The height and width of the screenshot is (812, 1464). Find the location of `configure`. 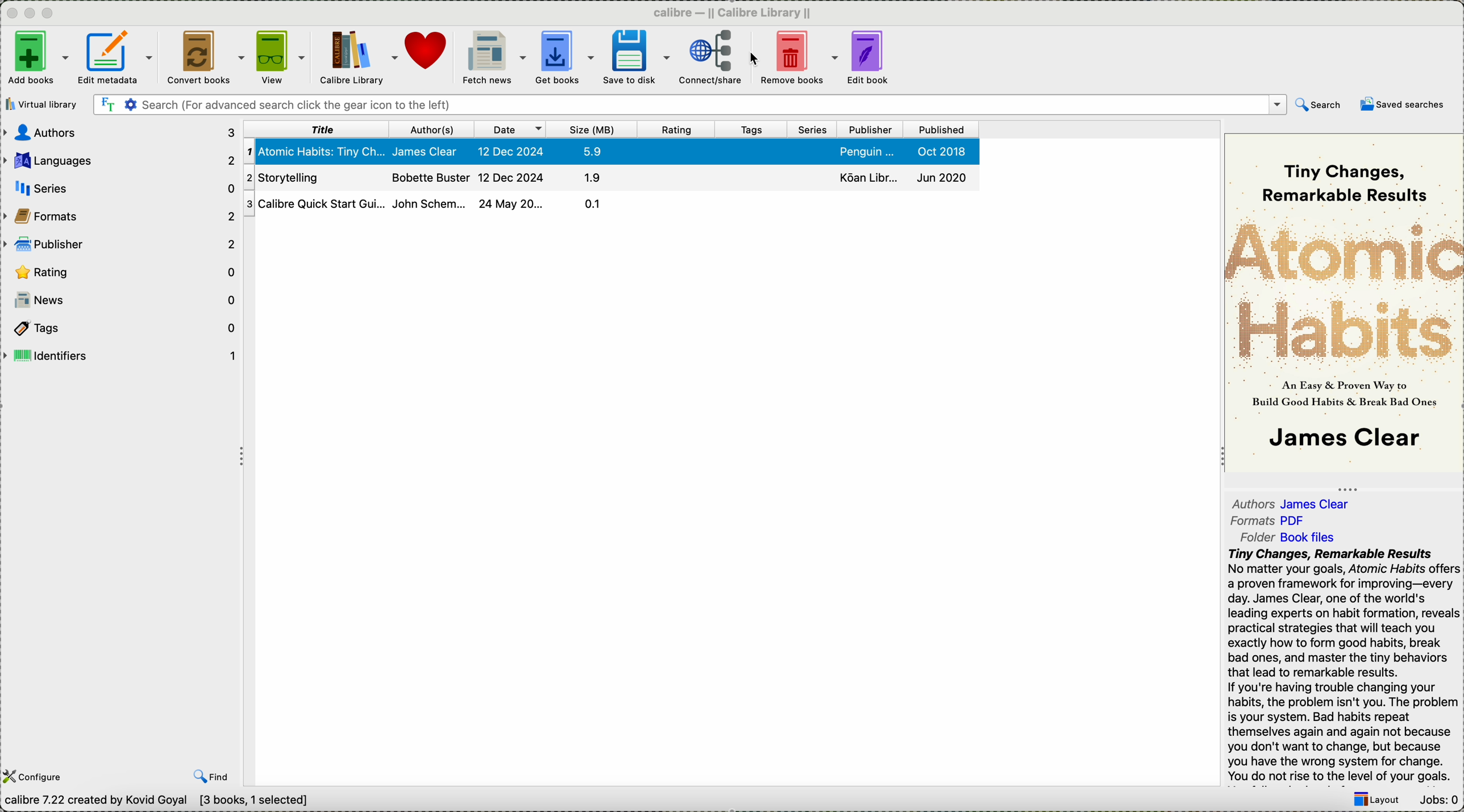

configure is located at coordinates (36, 777).